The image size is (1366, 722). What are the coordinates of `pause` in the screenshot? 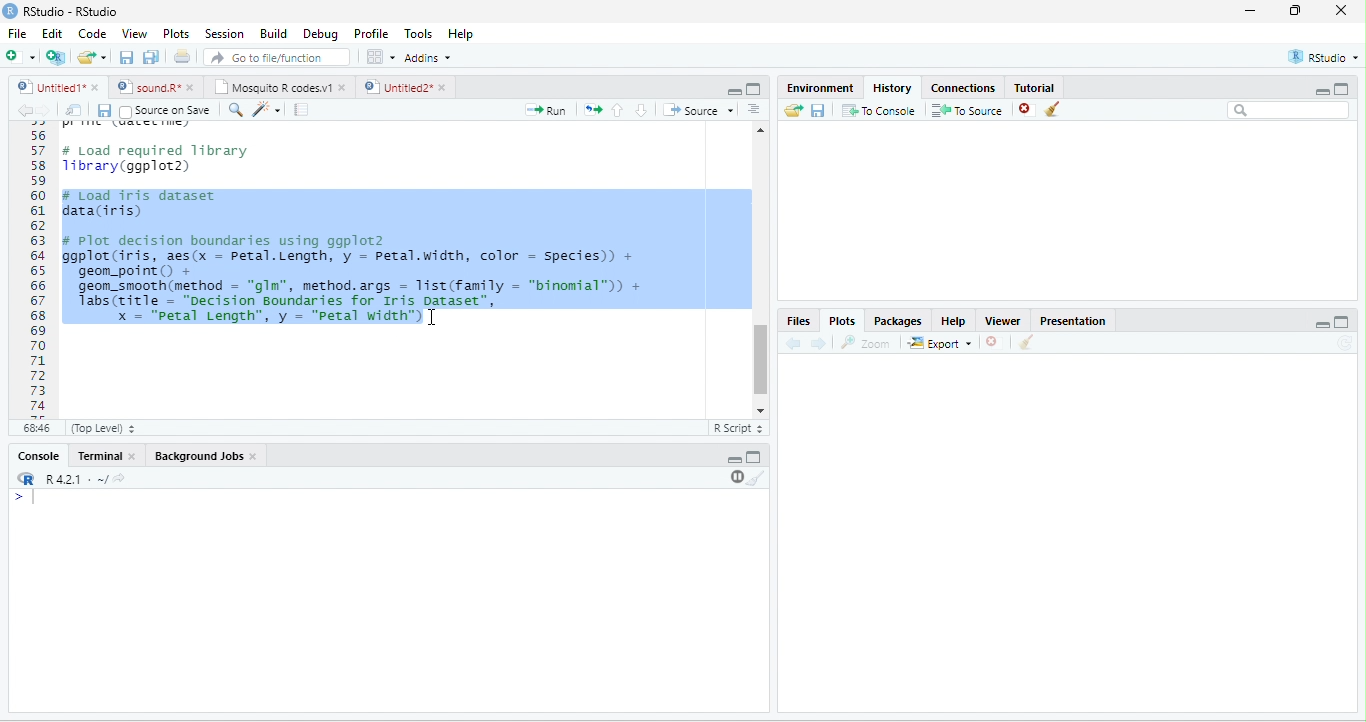 It's located at (735, 477).